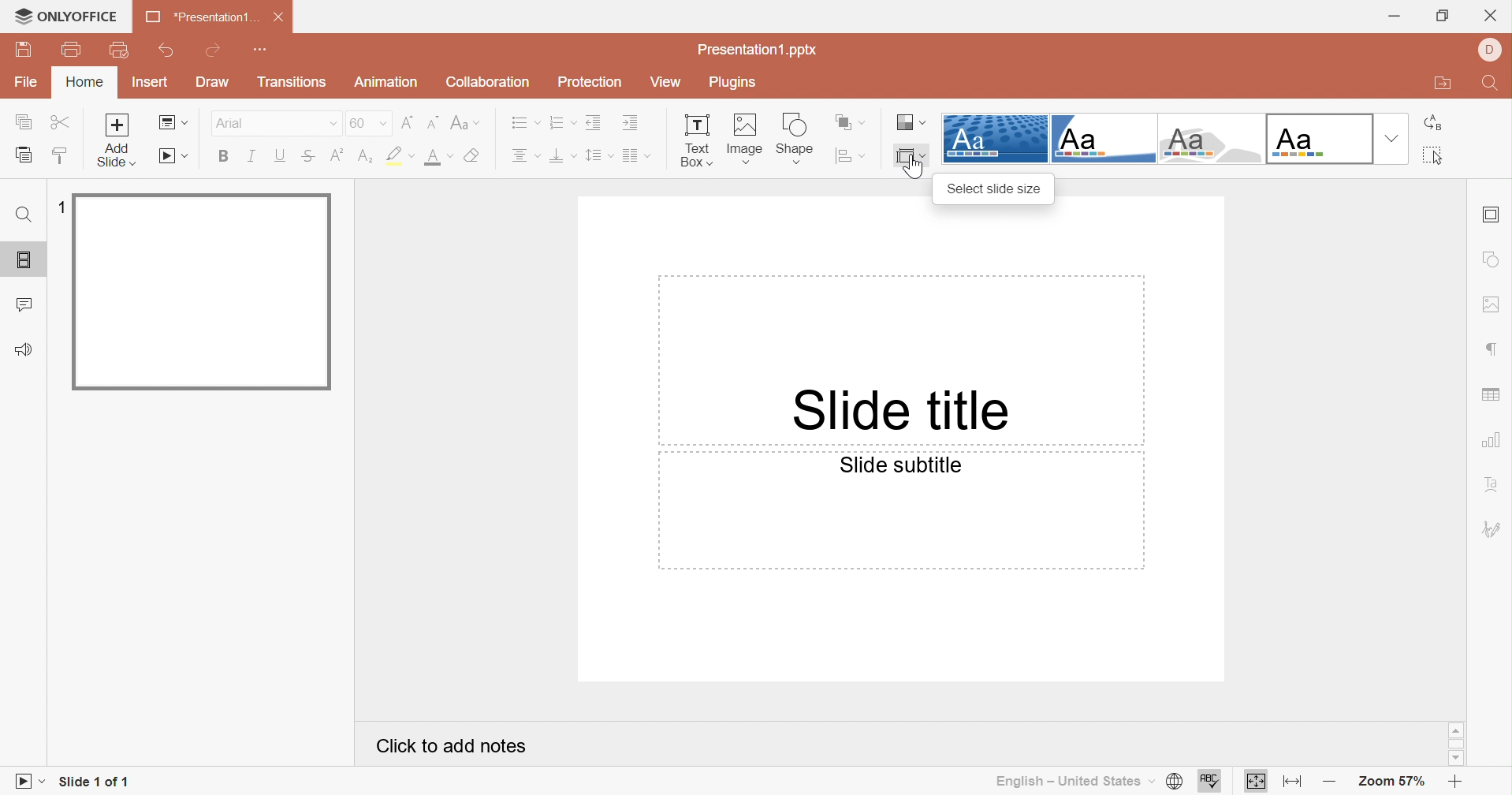 The image size is (1512, 795). I want to click on Open file location, so click(1446, 84).